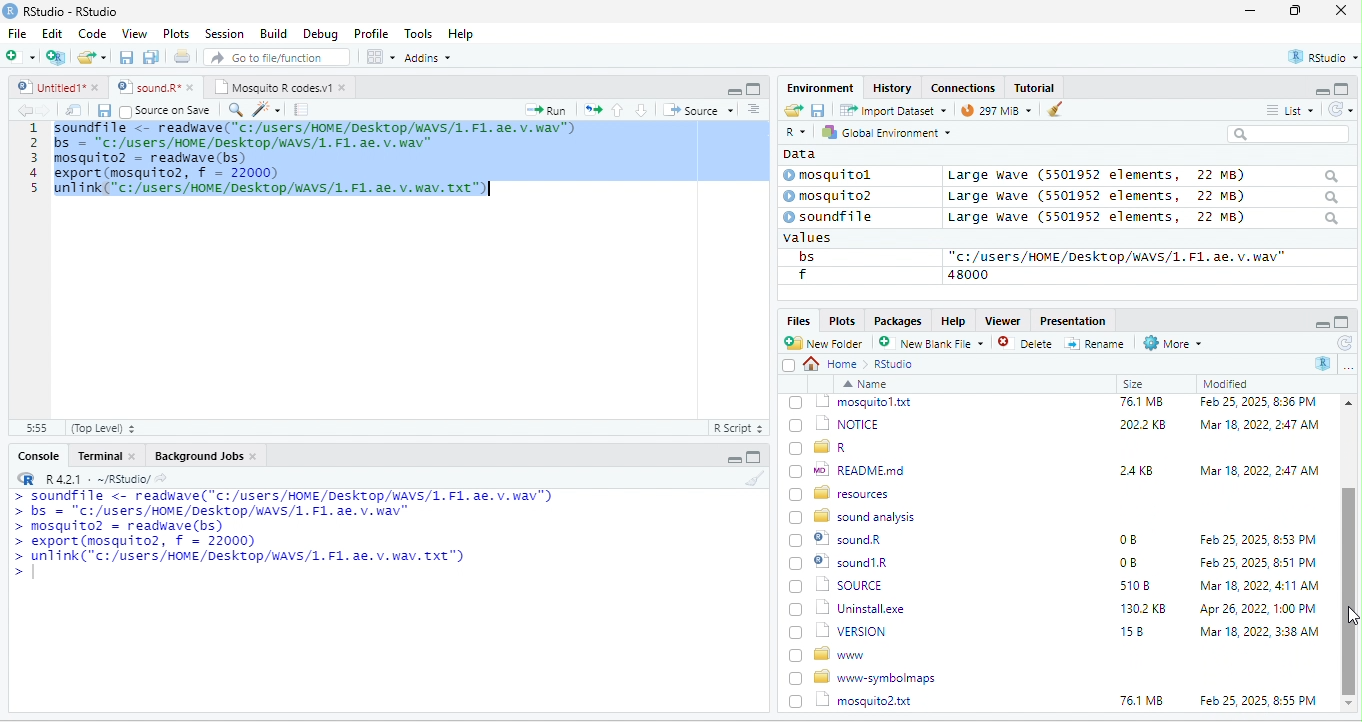 The image size is (1362, 722). What do you see at coordinates (1258, 681) in the screenshot?
I see `Mar 18, 2022, 4:11 AM` at bounding box center [1258, 681].